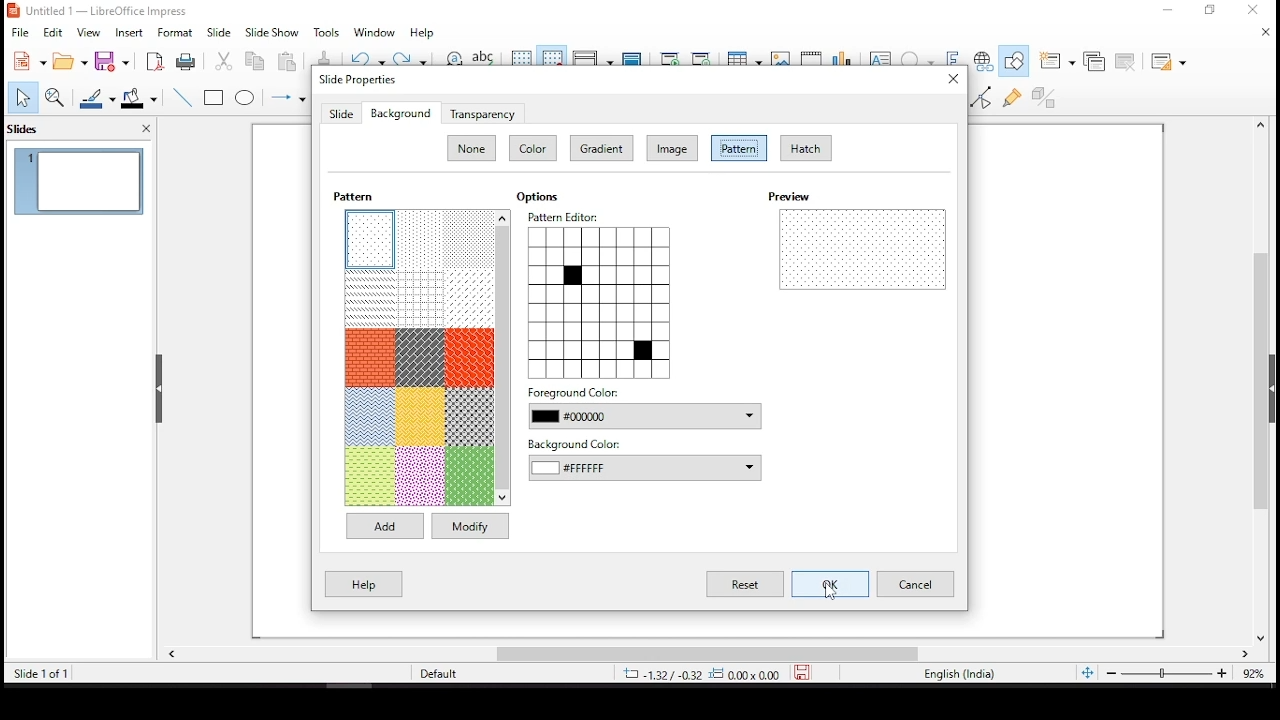 The image size is (1280, 720). Describe the element at coordinates (984, 60) in the screenshot. I see `insert hyperlink` at that location.